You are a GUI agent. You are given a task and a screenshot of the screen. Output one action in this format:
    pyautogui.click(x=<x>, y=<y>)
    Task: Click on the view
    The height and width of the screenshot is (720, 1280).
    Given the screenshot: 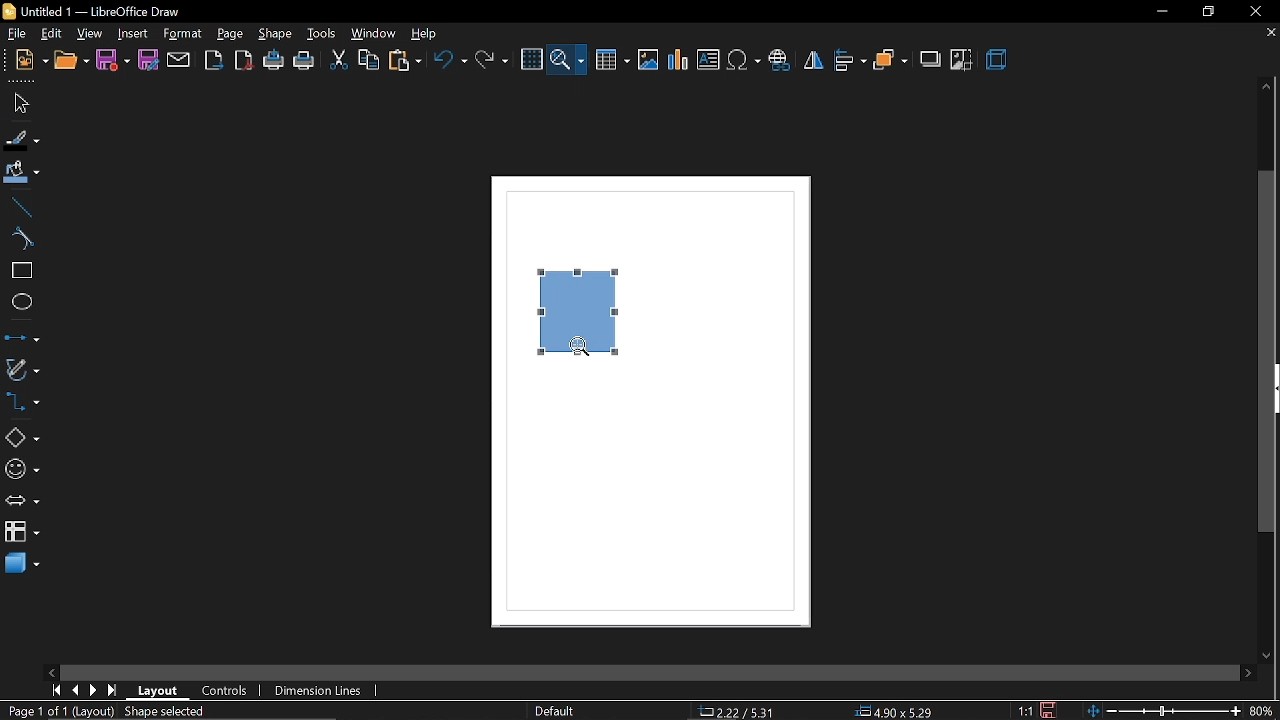 What is the action you would take?
    pyautogui.click(x=51, y=32)
    